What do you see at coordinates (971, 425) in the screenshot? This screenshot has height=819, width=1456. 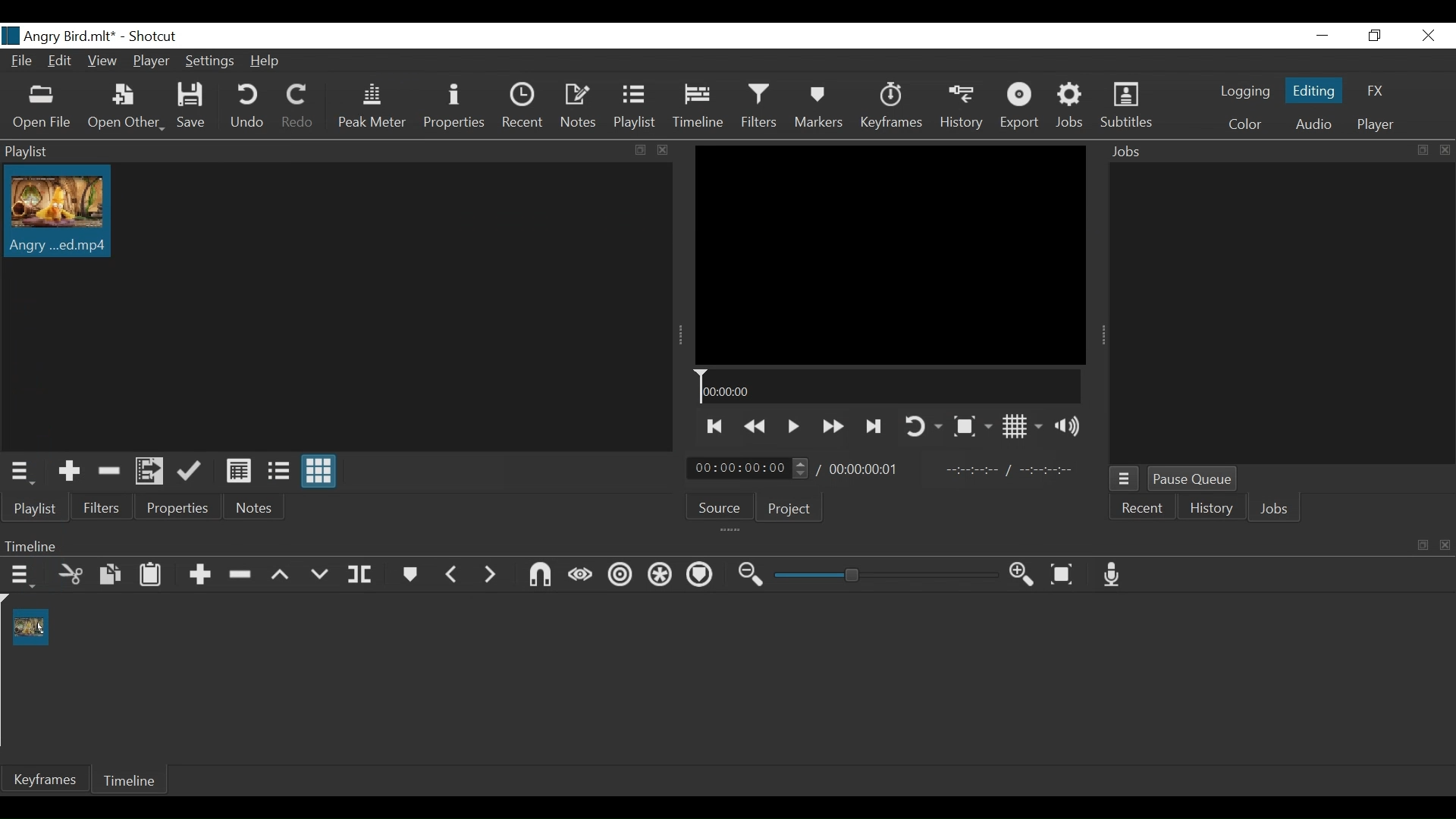 I see `Toggle Zoom` at bounding box center [971, 425].